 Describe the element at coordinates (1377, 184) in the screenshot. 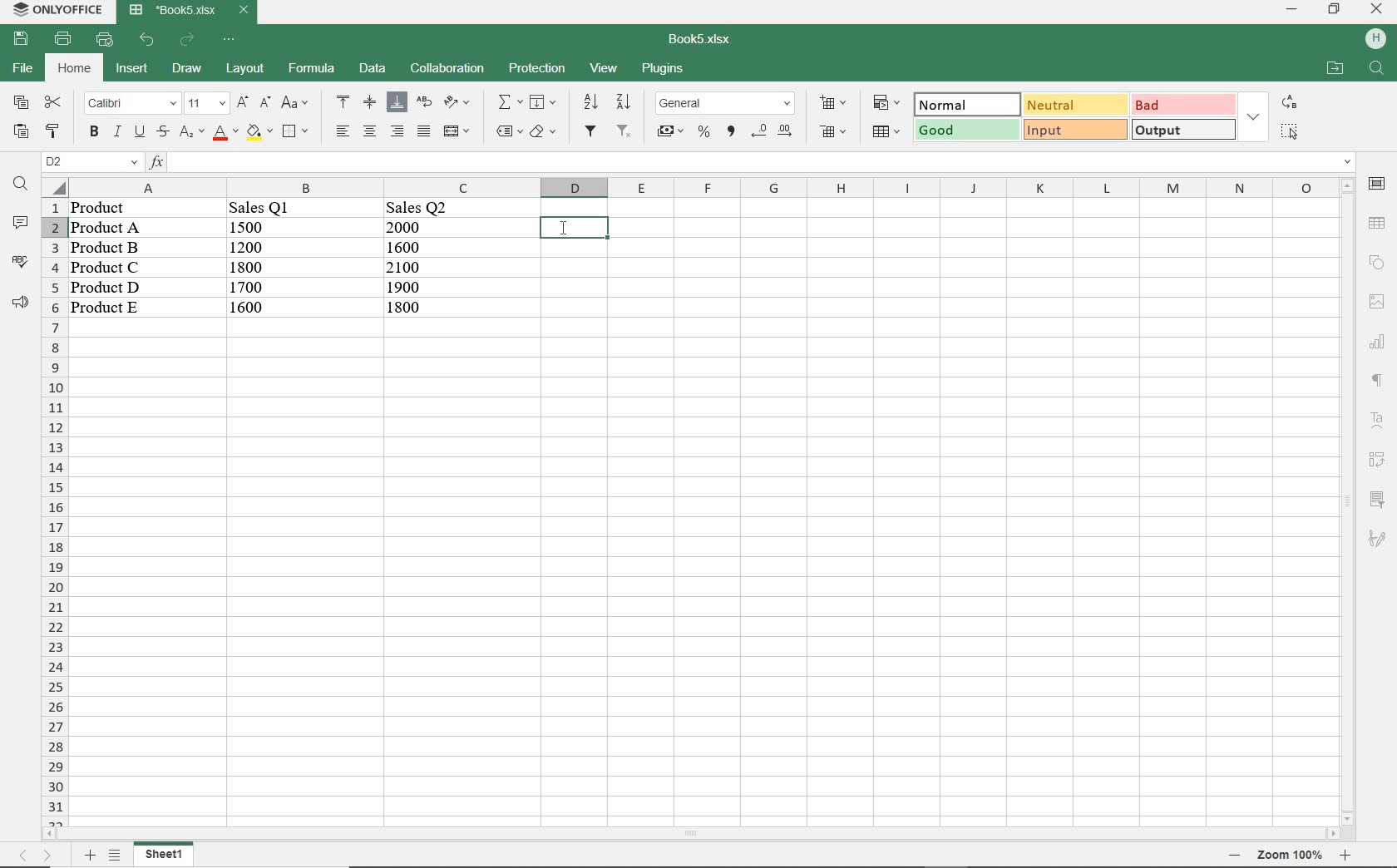

I see `cell settings` at that location.